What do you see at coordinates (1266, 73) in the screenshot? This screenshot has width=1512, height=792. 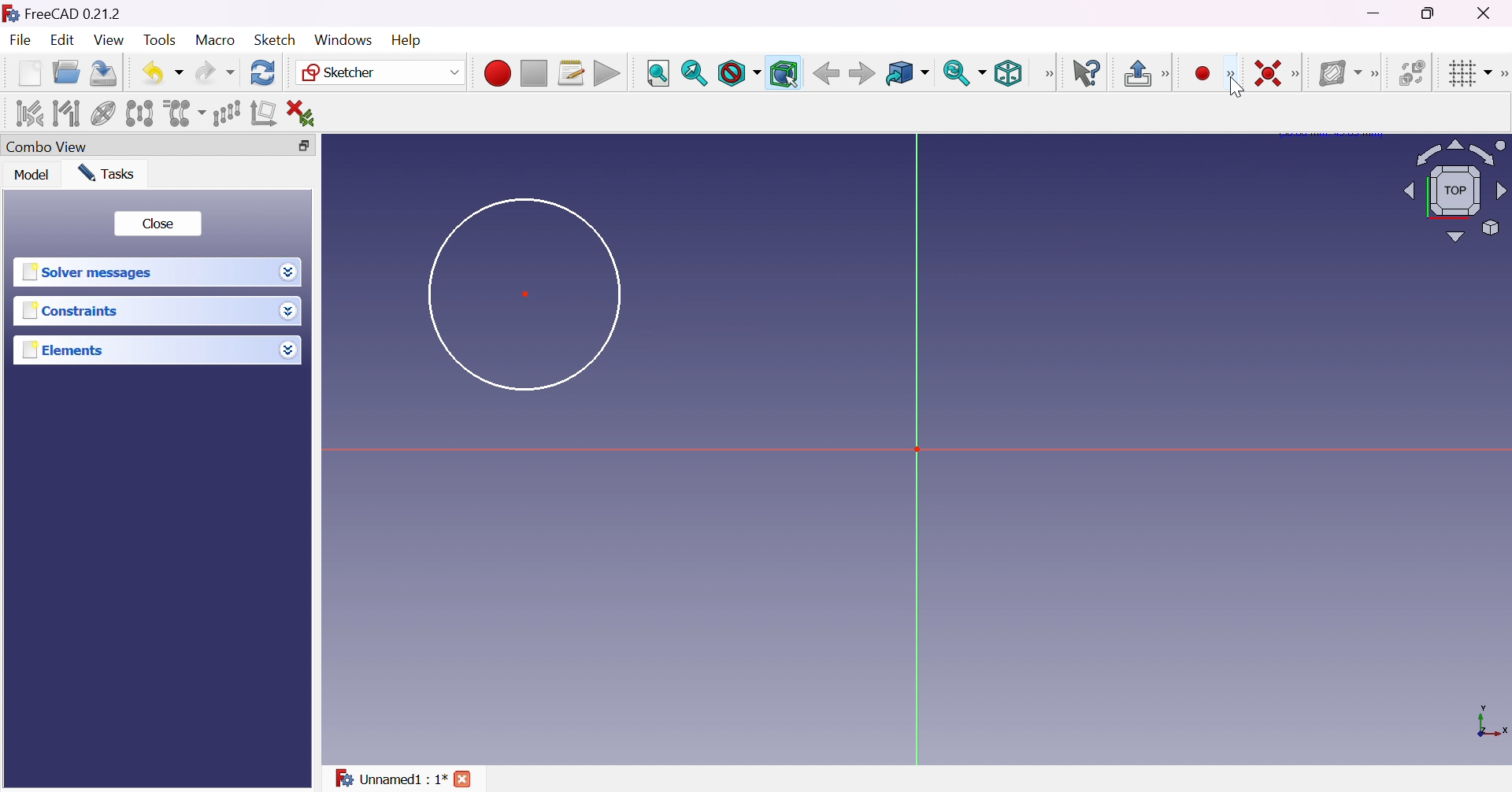 I see `Constrain coincident` at bounding box center [1266, 73].